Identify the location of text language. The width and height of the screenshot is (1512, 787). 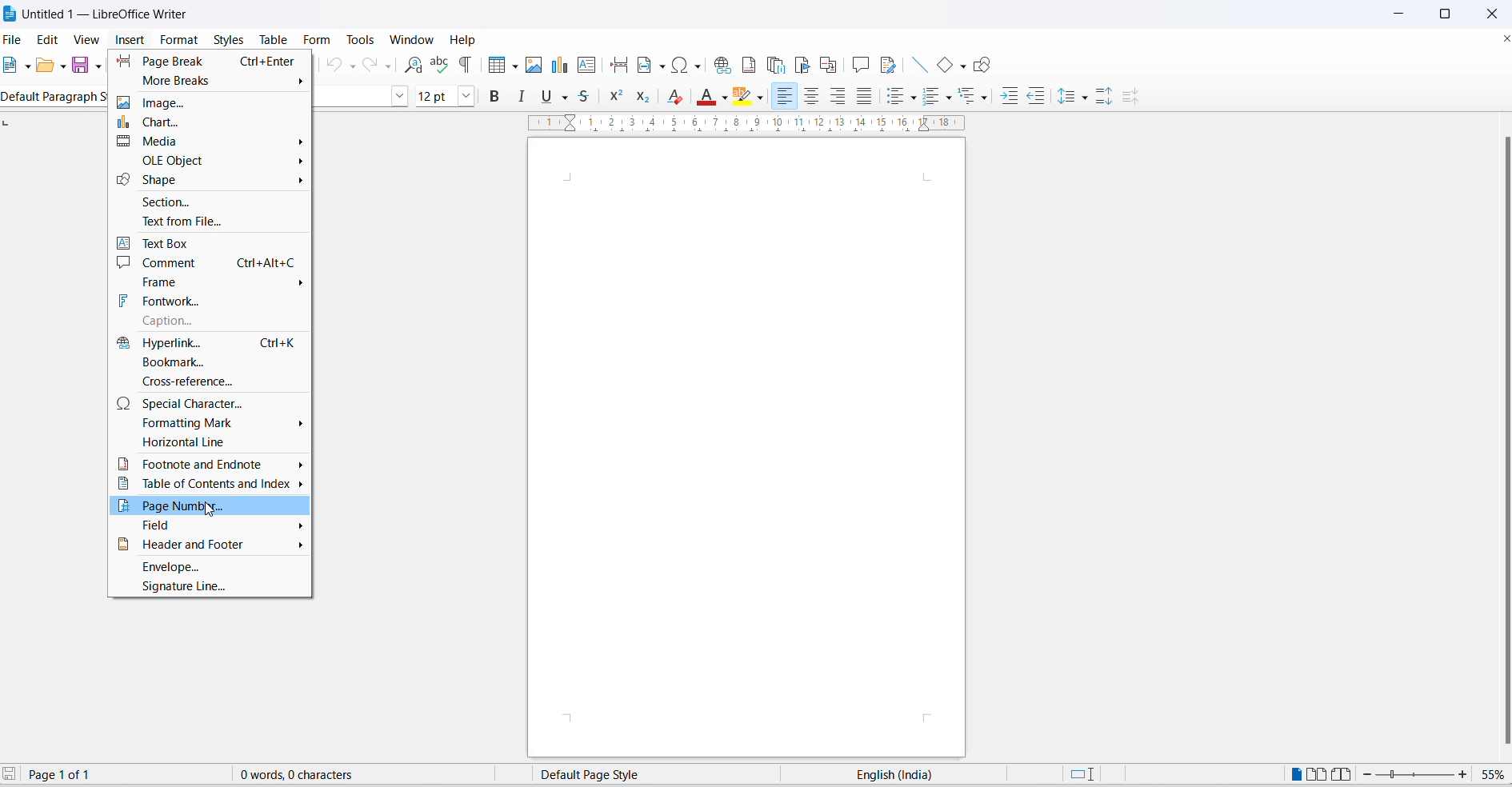
(902, 774).